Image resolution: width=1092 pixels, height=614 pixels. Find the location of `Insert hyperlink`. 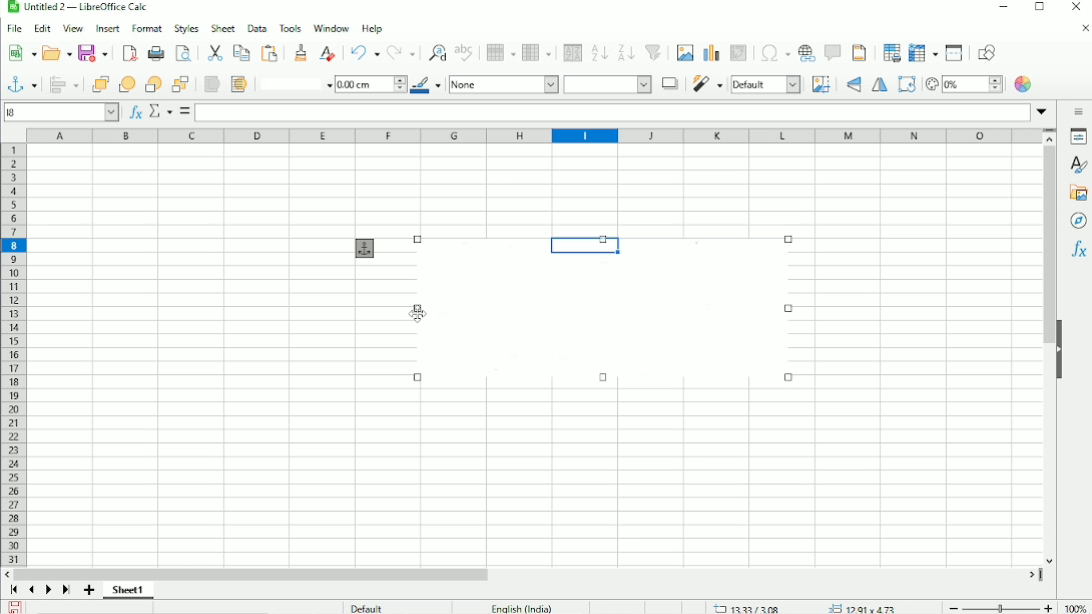

Insert hyperlink is located at coordinates (807, 53).